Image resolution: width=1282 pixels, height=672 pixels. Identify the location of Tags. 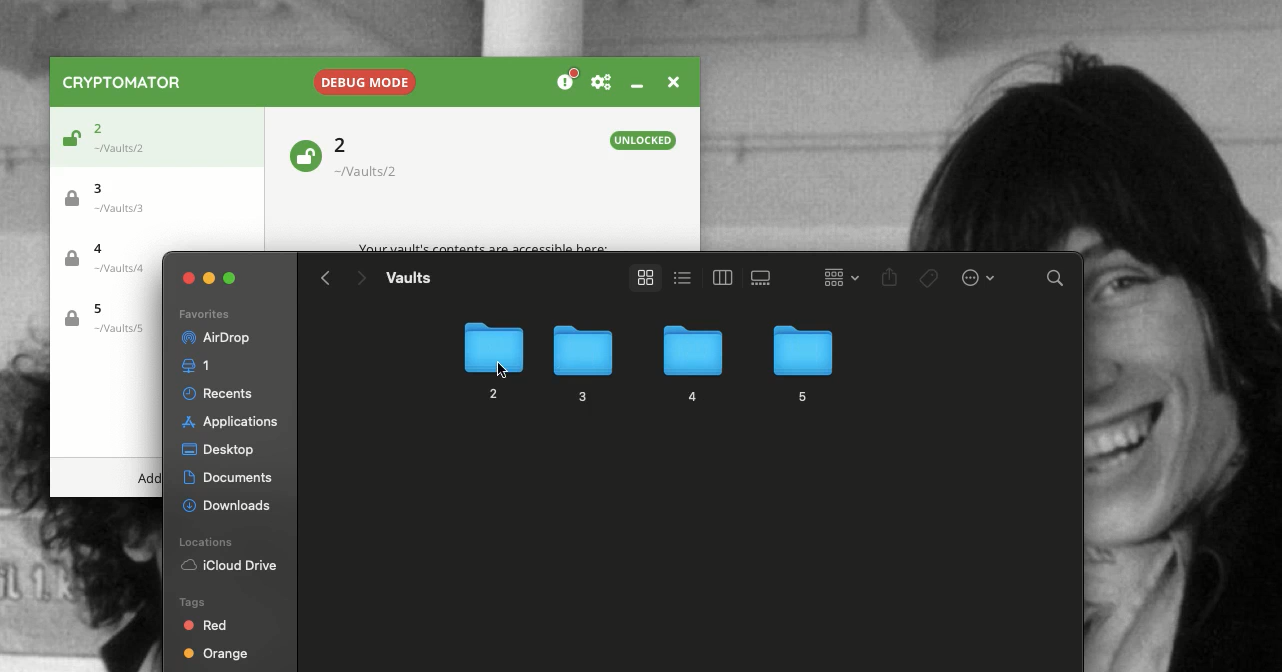
(930, 278).